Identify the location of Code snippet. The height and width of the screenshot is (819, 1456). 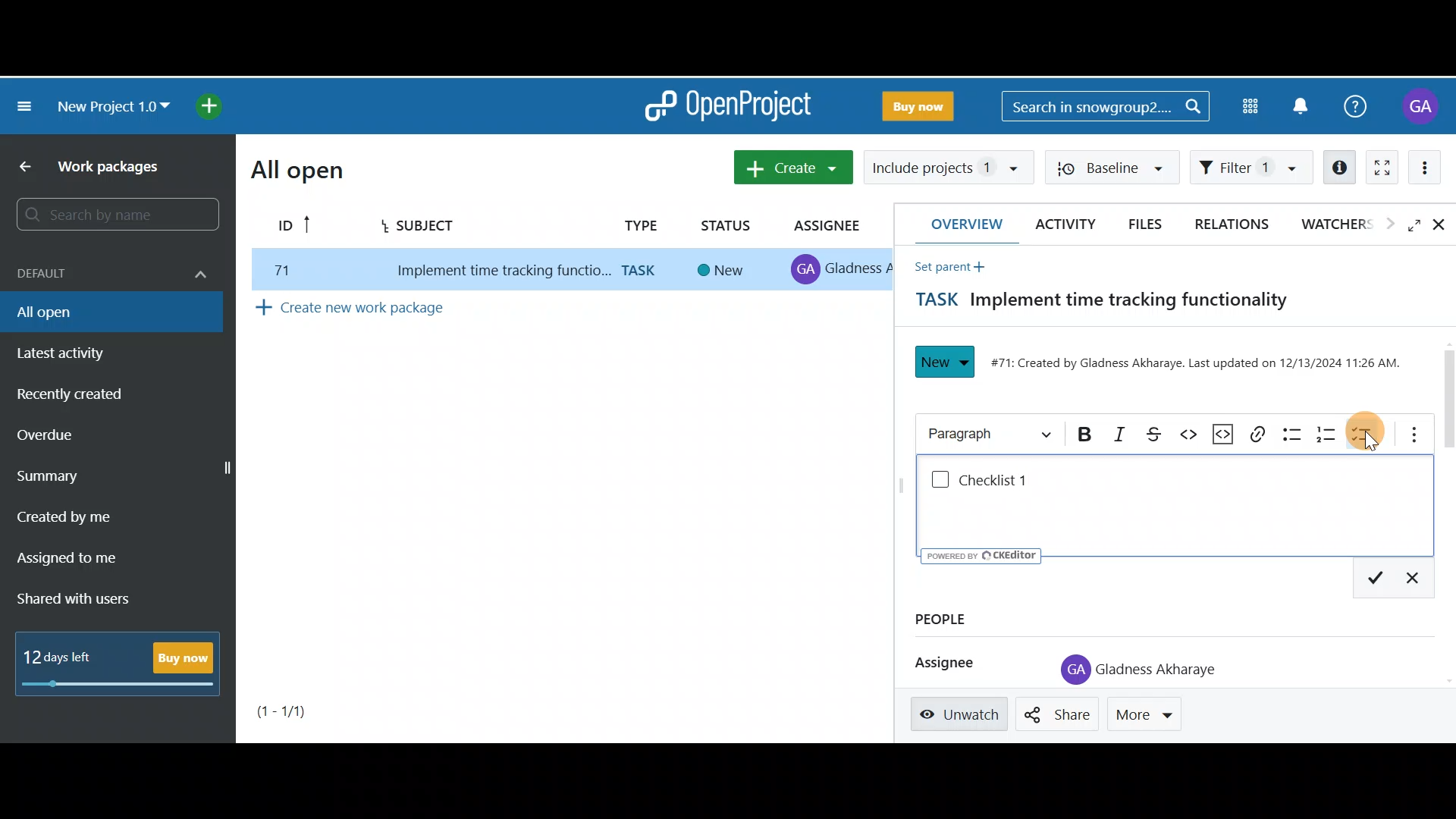
(1227, 432).